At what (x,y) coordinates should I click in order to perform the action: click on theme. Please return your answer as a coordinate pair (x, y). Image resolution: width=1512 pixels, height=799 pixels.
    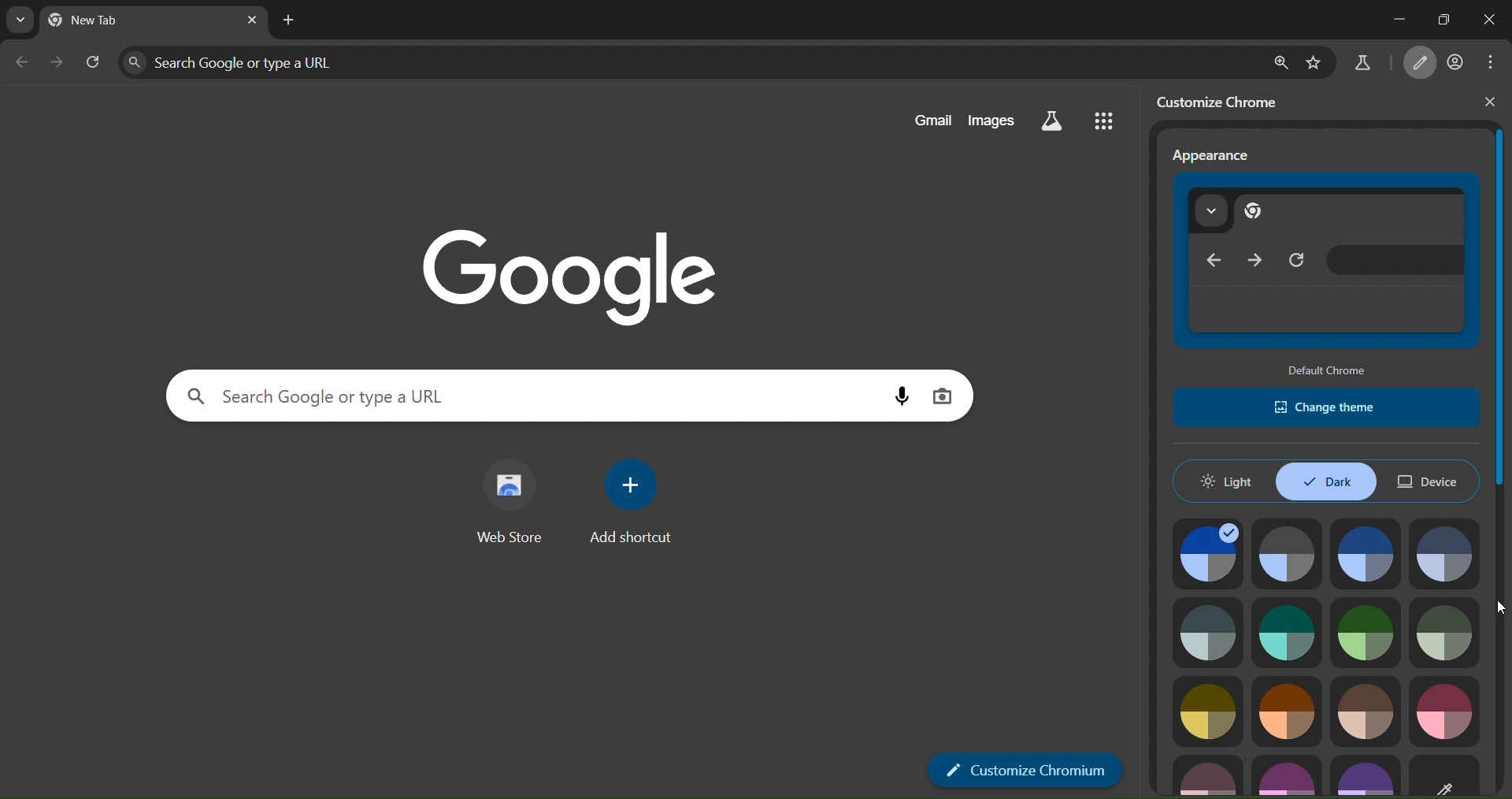
    Looking at the image, I should click on (1289, 547).